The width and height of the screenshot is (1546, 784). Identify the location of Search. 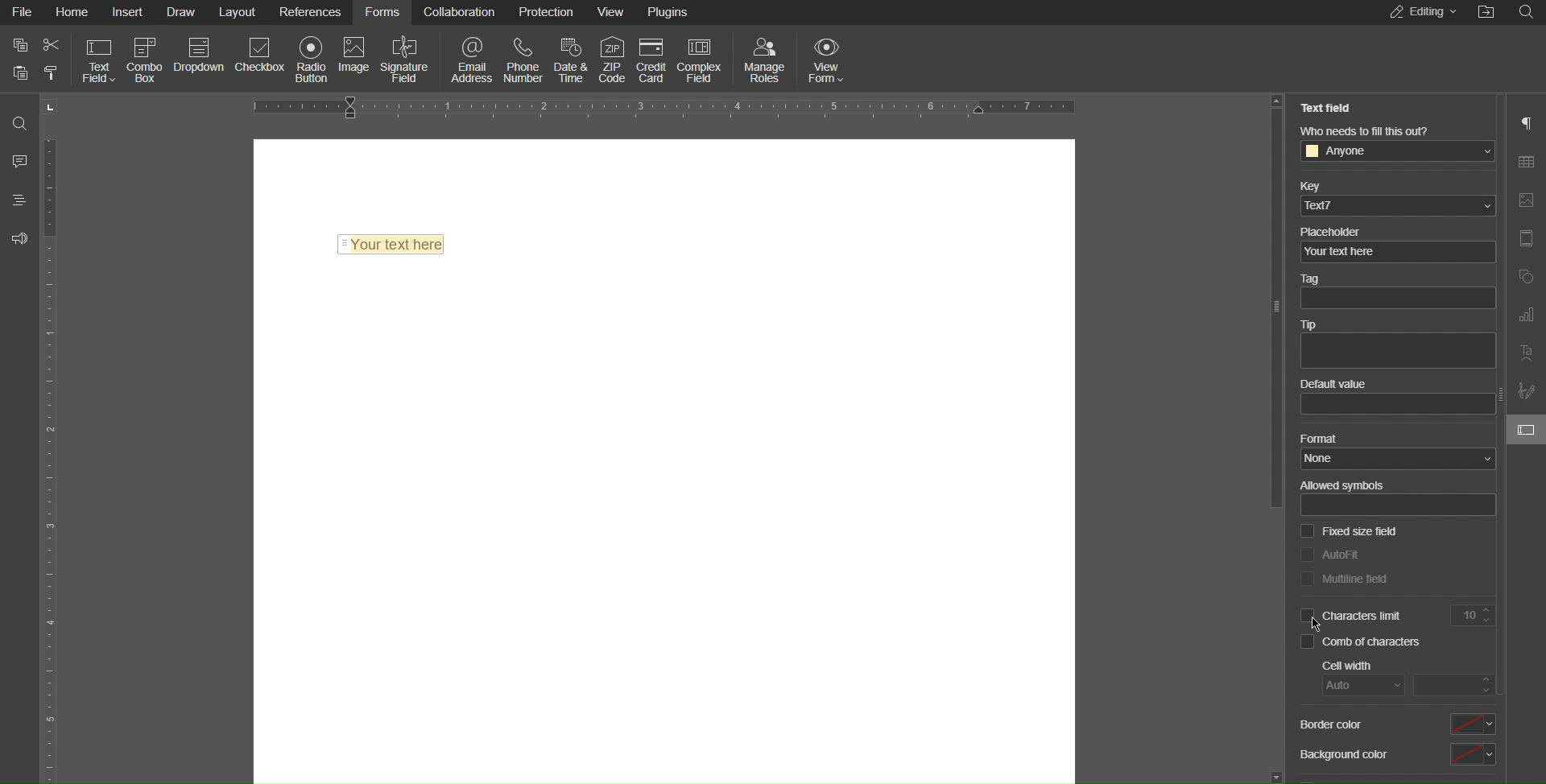
(1530, 12).